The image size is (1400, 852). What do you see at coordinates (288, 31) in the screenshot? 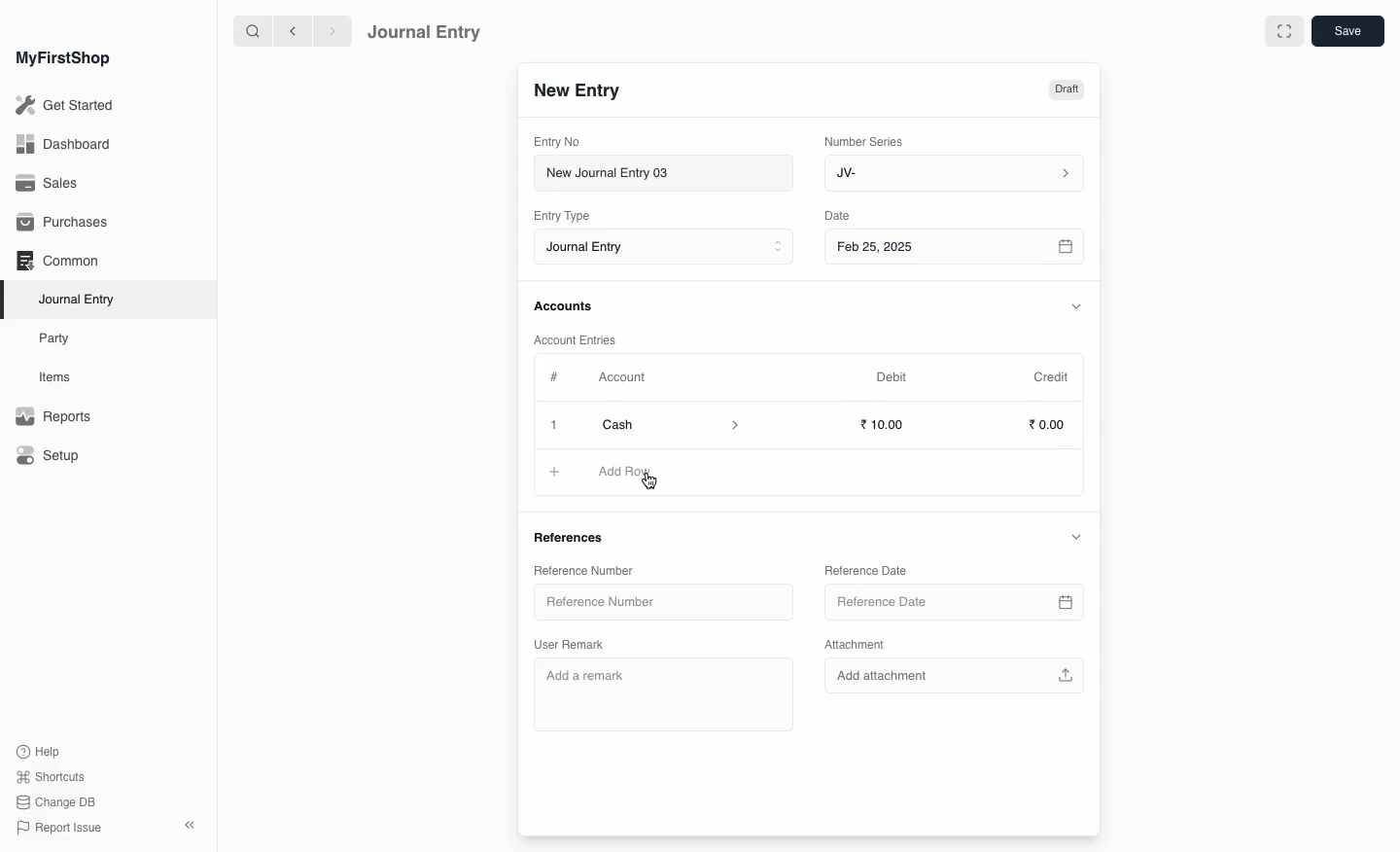
I see `backward <` at bounding box center [288, 31].